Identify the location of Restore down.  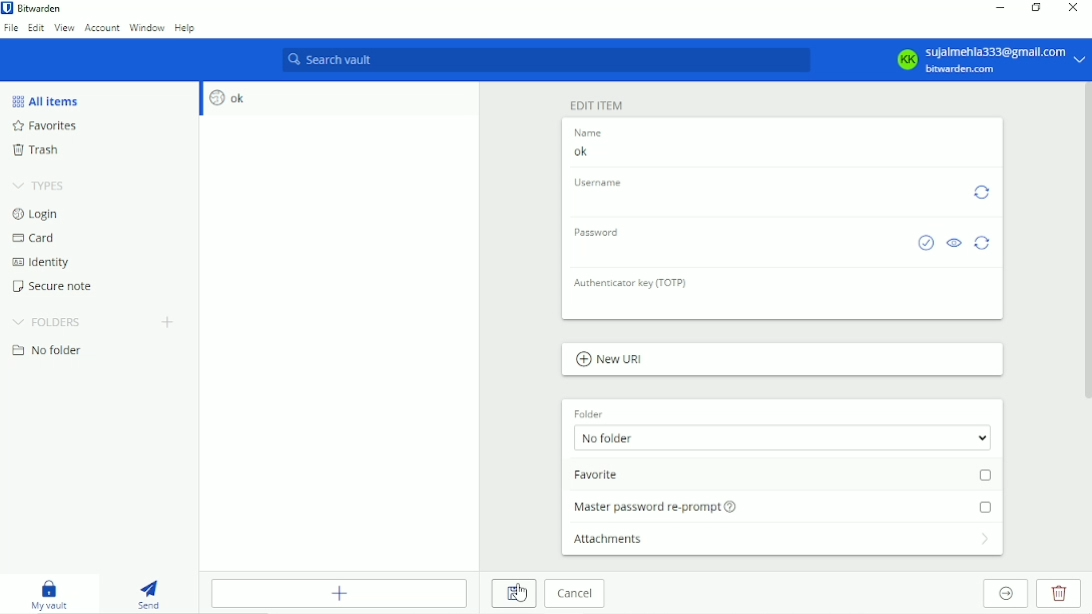
(1037, 7).